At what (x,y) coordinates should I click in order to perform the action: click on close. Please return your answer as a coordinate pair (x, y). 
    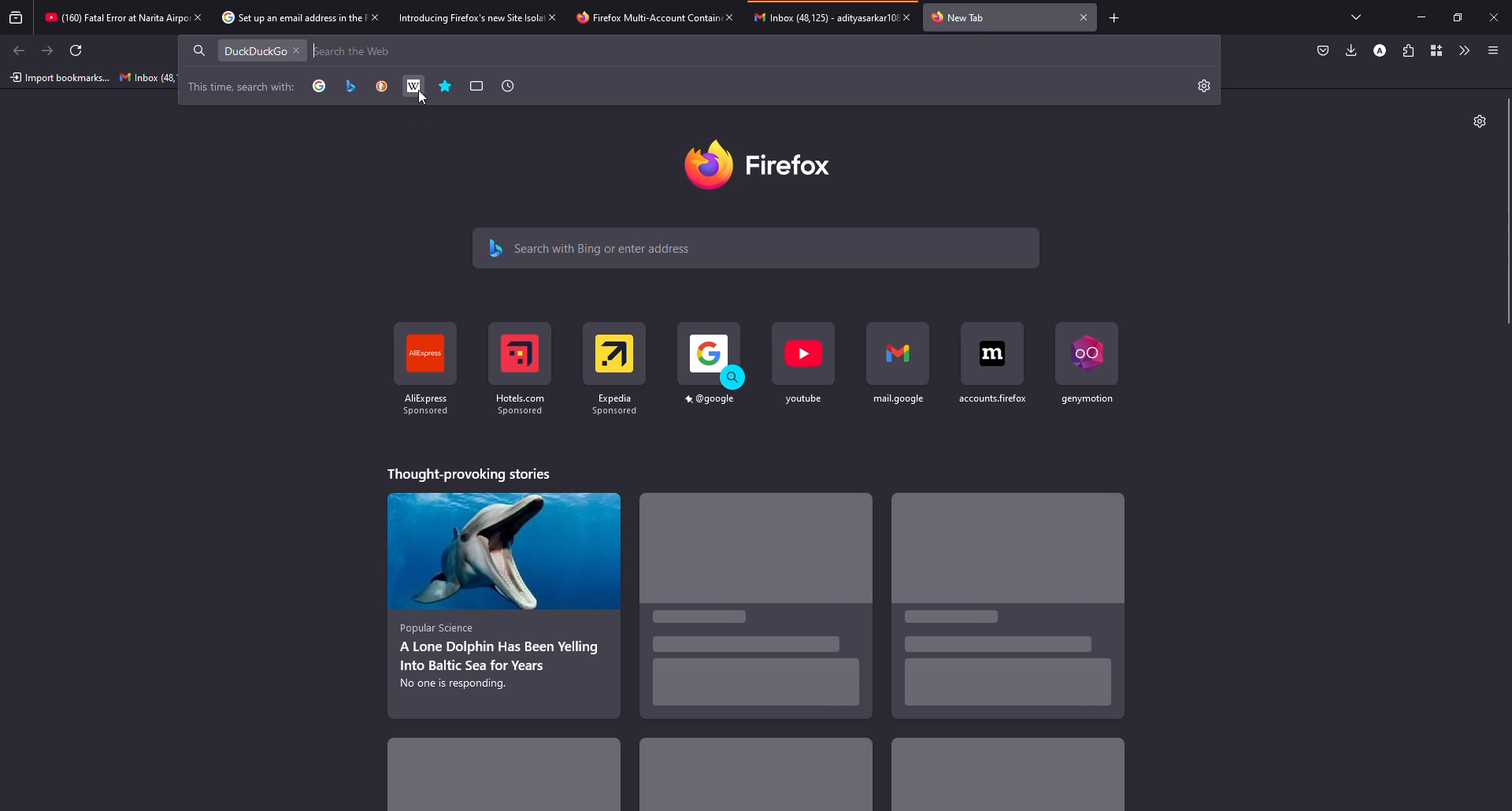
    Looking at the image, I should click on (376, 17).